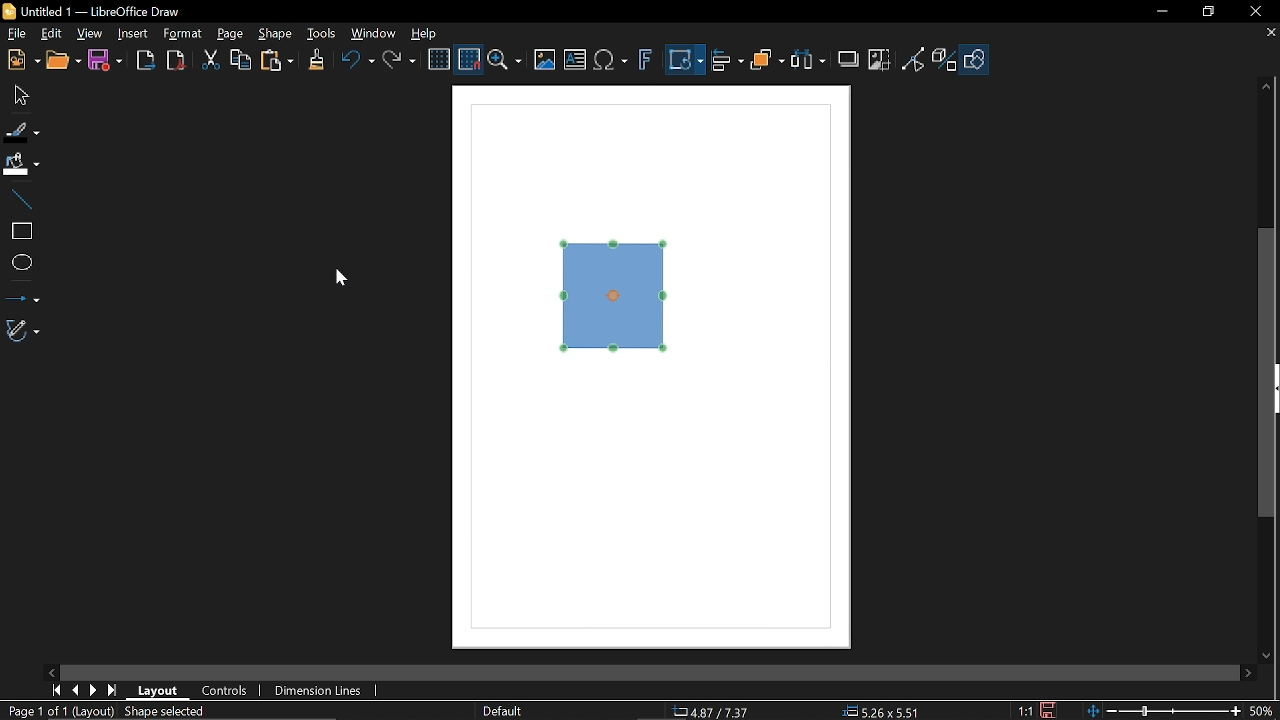  What do you see at coordinates (643, 60) in the screenshot?
I see `insert fontwork` at bounding box center [643, 60].